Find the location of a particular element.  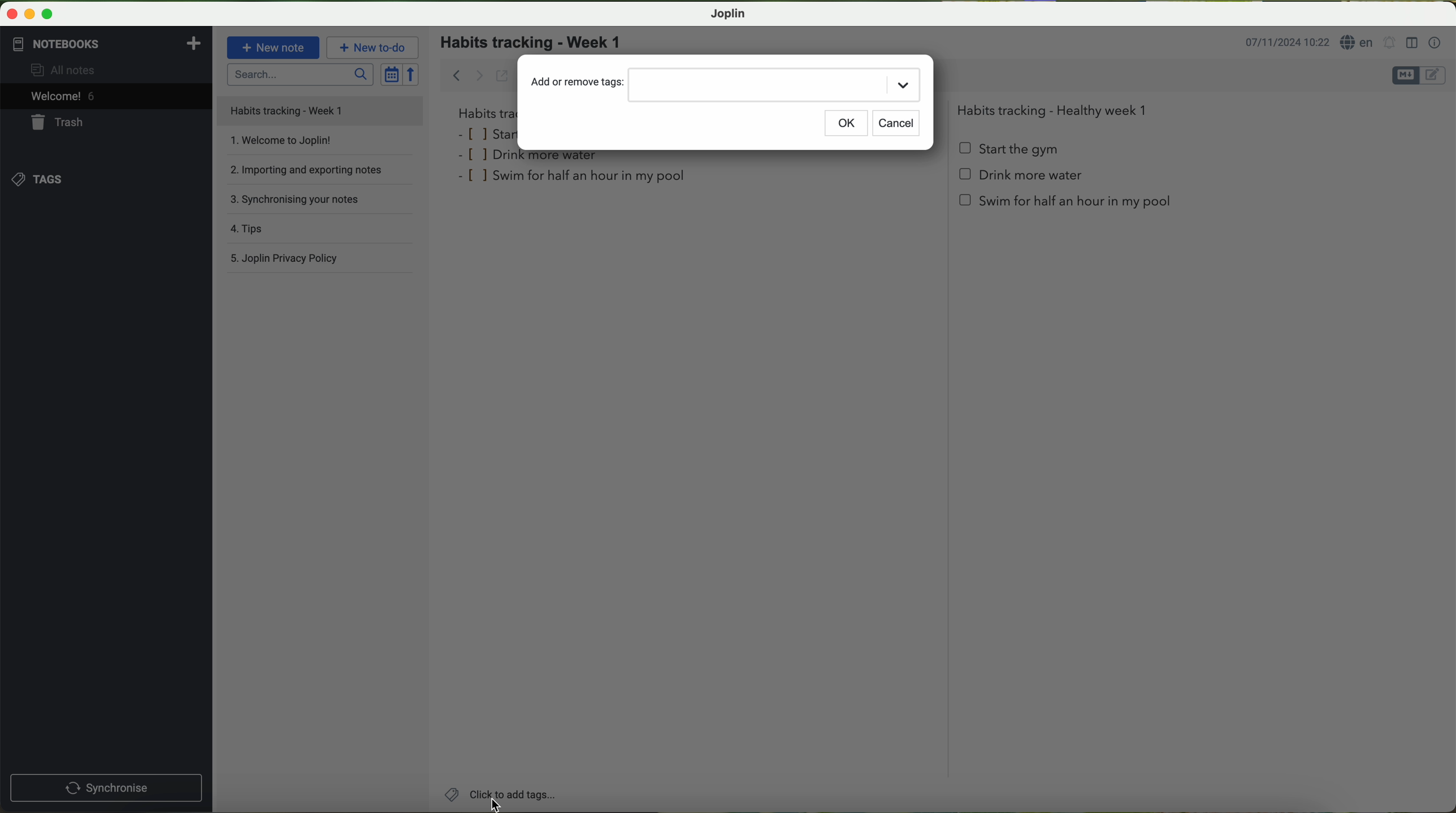

Habits tracking - Healthy week 1 is located at coordinates (1057, 108).